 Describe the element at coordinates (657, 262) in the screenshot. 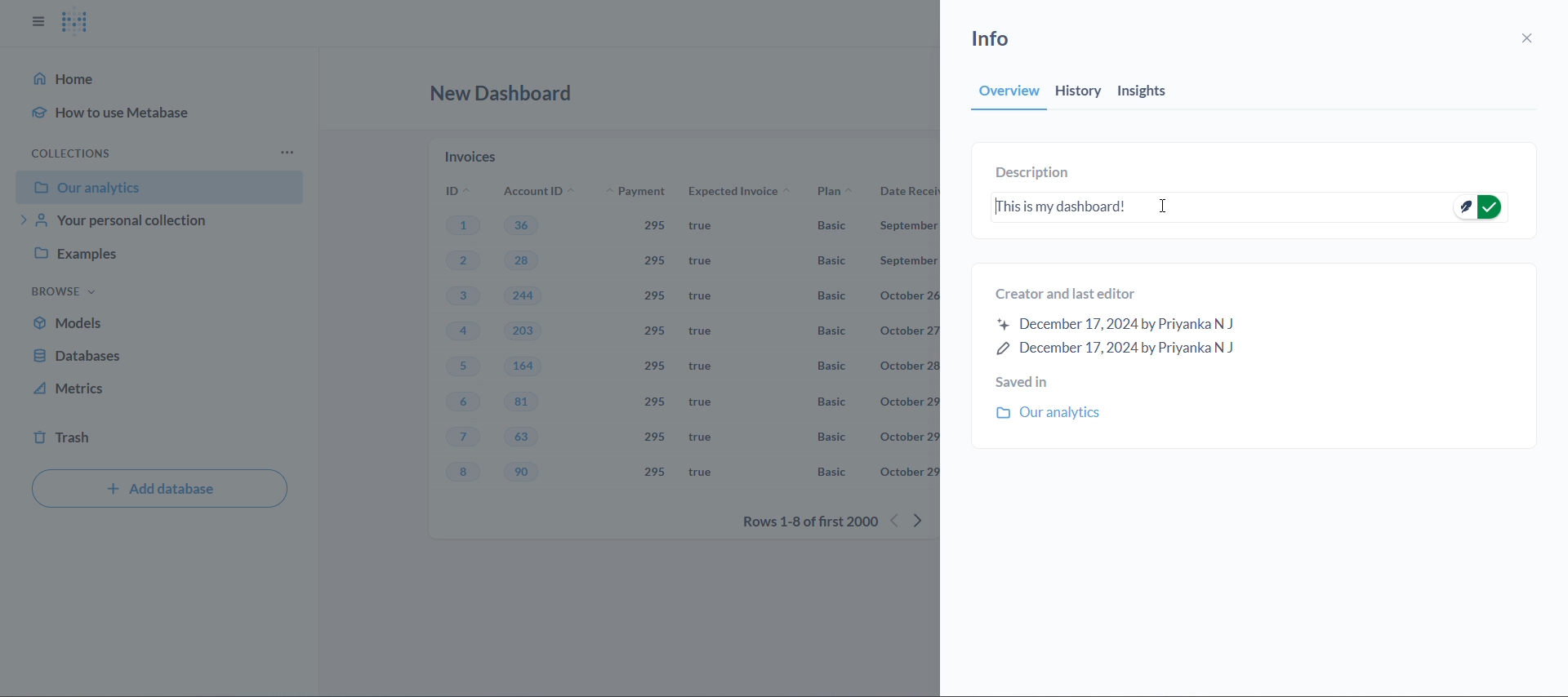

I see `295` at that location.